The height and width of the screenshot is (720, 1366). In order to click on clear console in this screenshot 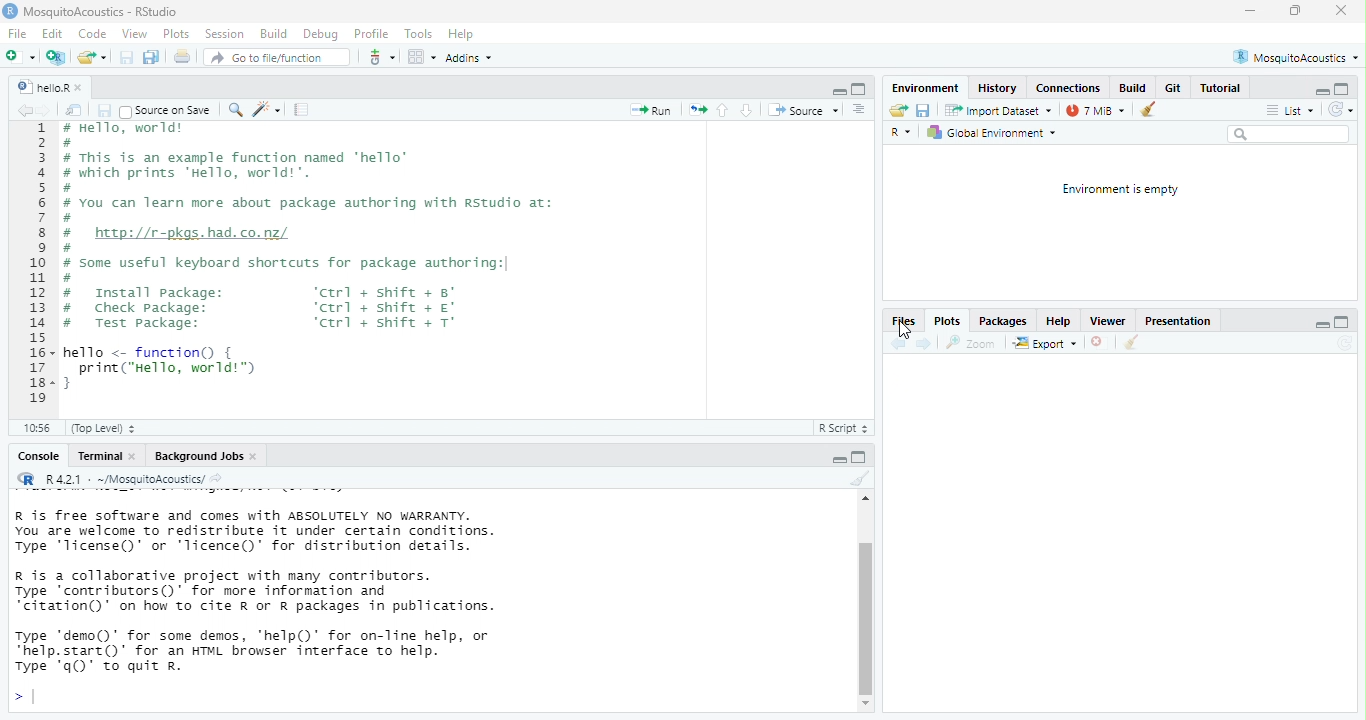, I will do `click(860, 480)`.